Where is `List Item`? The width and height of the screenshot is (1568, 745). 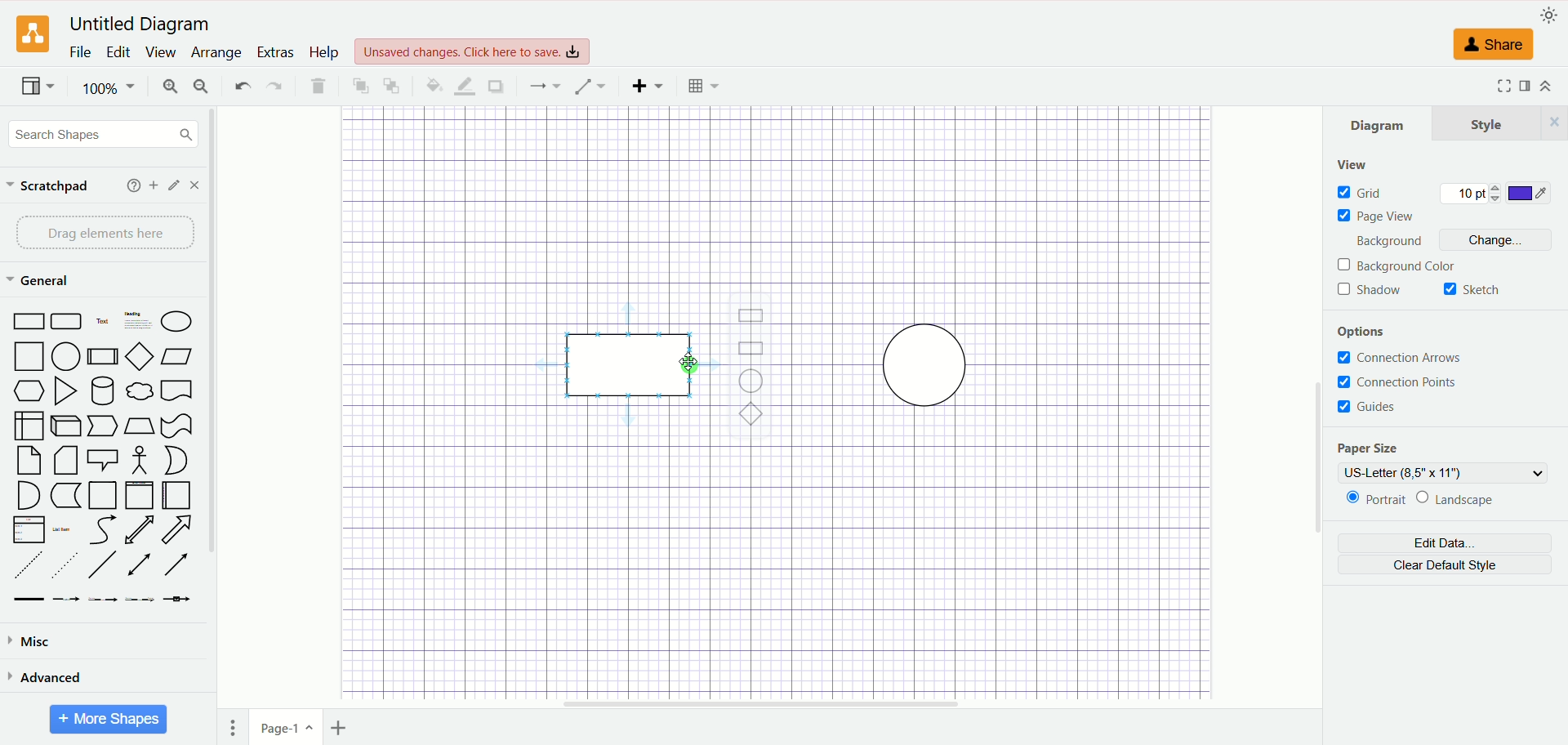 List Item is located at coordinates (64, 530).